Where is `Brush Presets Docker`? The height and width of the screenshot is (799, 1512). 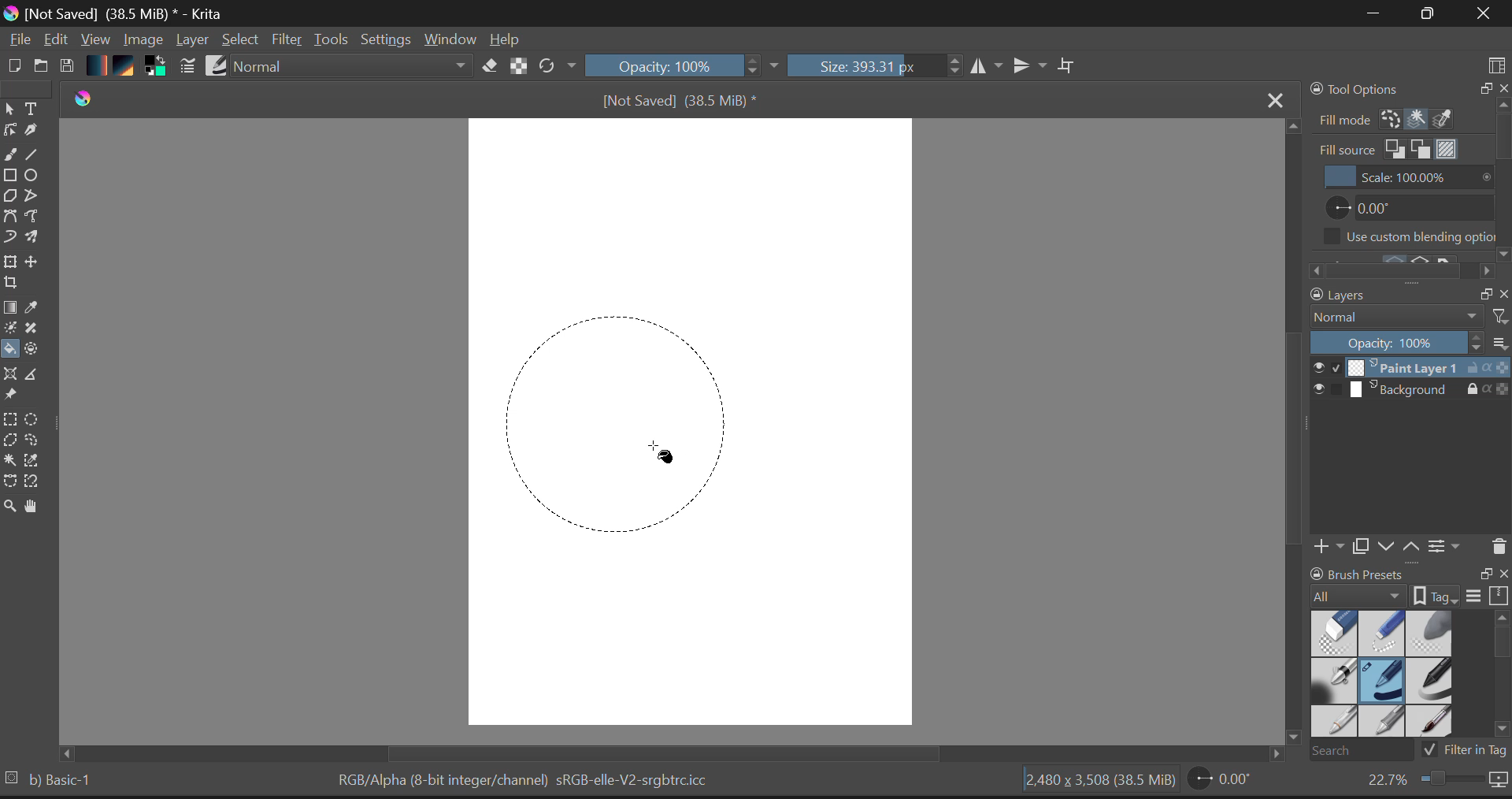 Brush Presets Docker is located at coordinates (1406, 662).